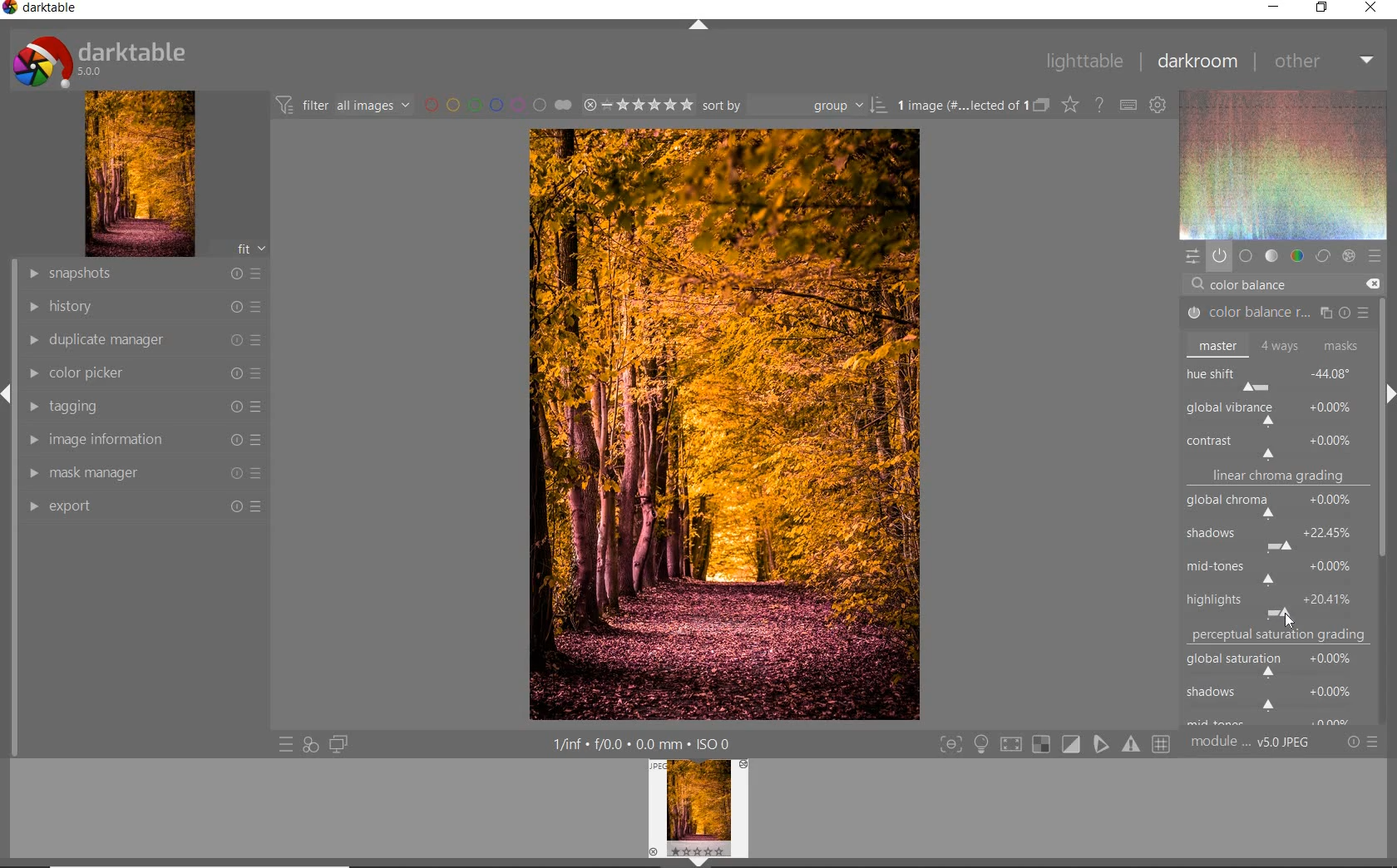 The height and width of the screenshot is (868, 1397). Describe the element at coordinates (1277, 479) in the screenshot. I see `linear chroma grading` at that location.